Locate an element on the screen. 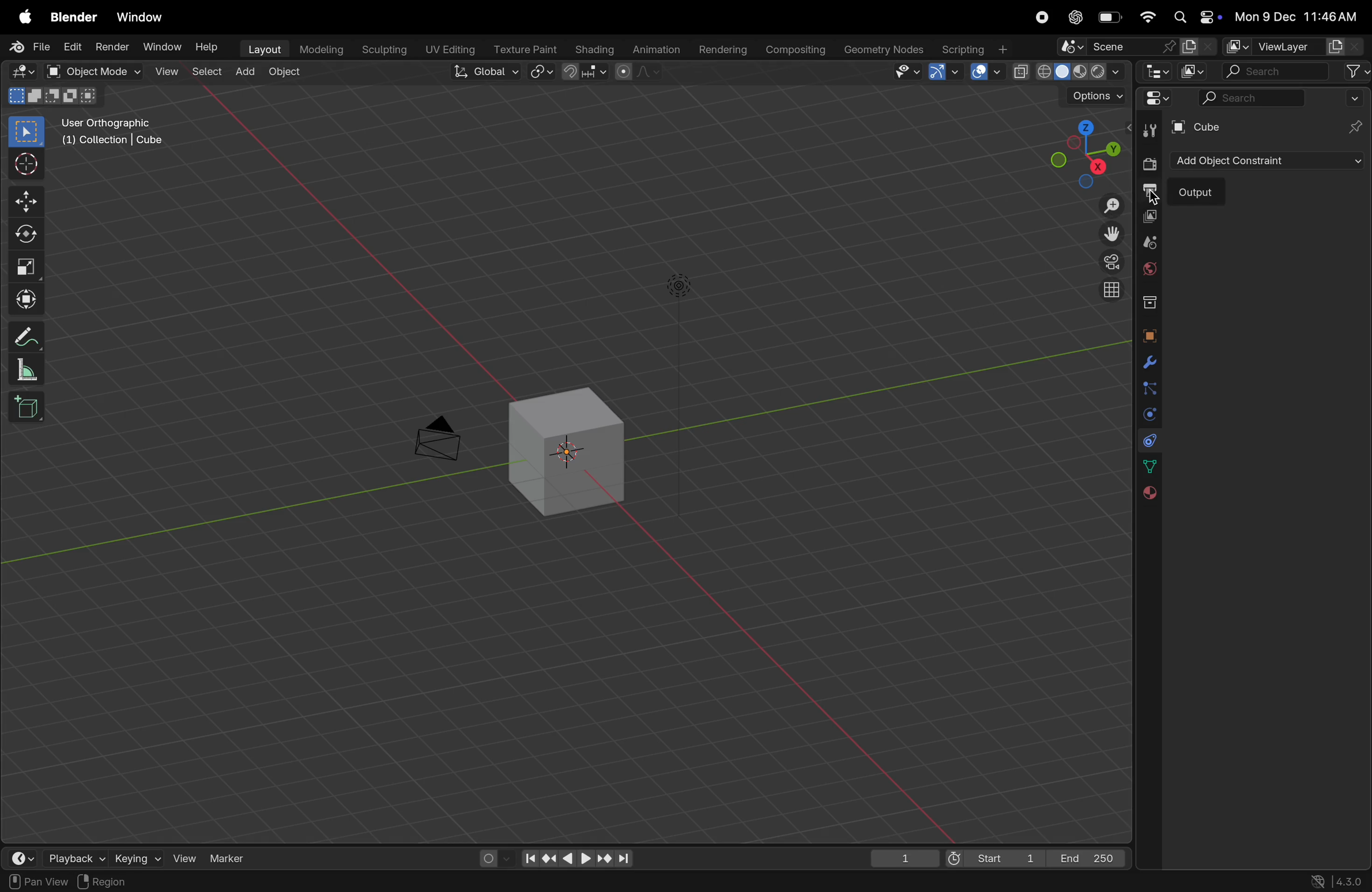 The image size is (1372, 892). annotate is located at coordinates (24, 337).